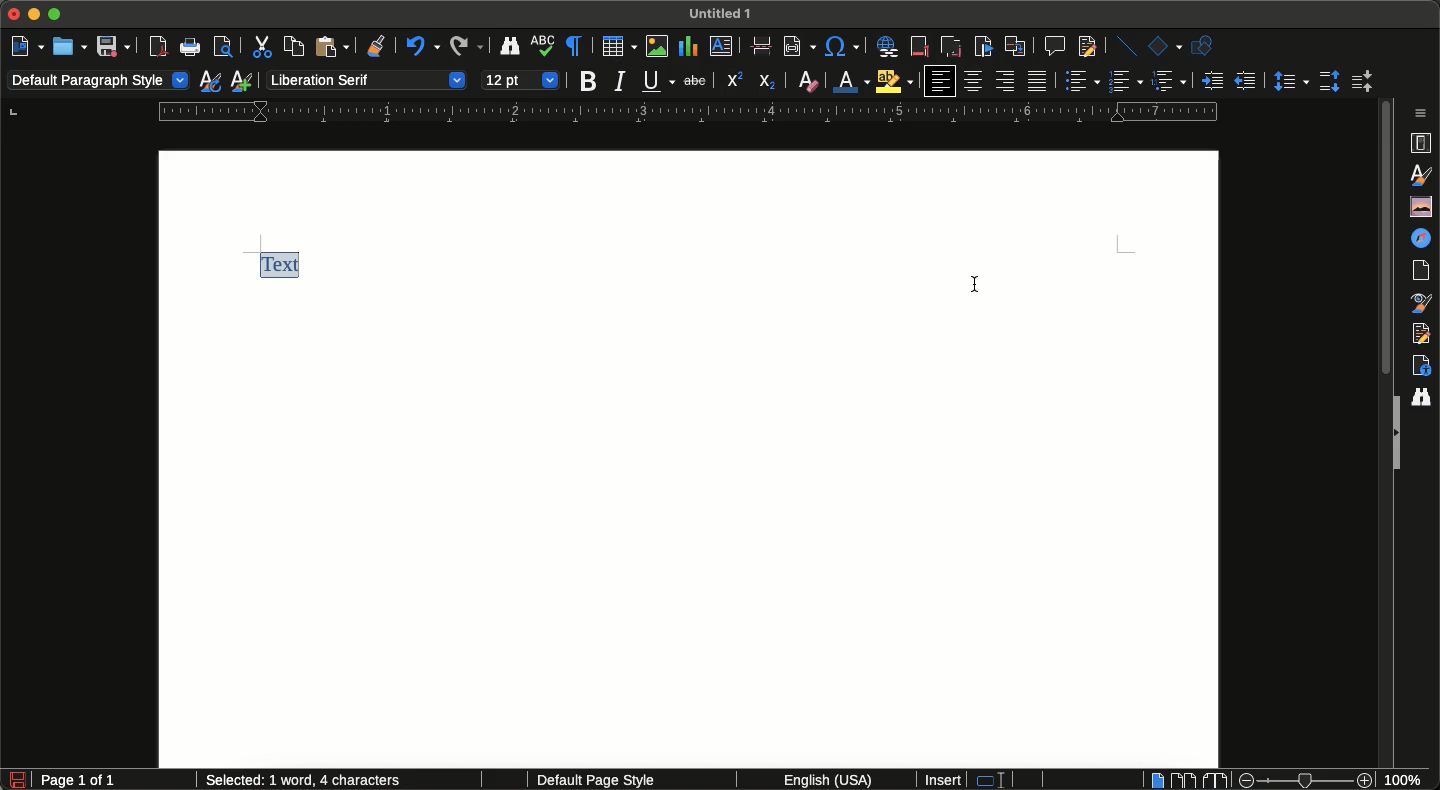 The width and height of the screenshot is (1440, 790). What do you see at coordinates (285, 265) in the screenshot?
I see `Text` at bounding box center [285, 265].